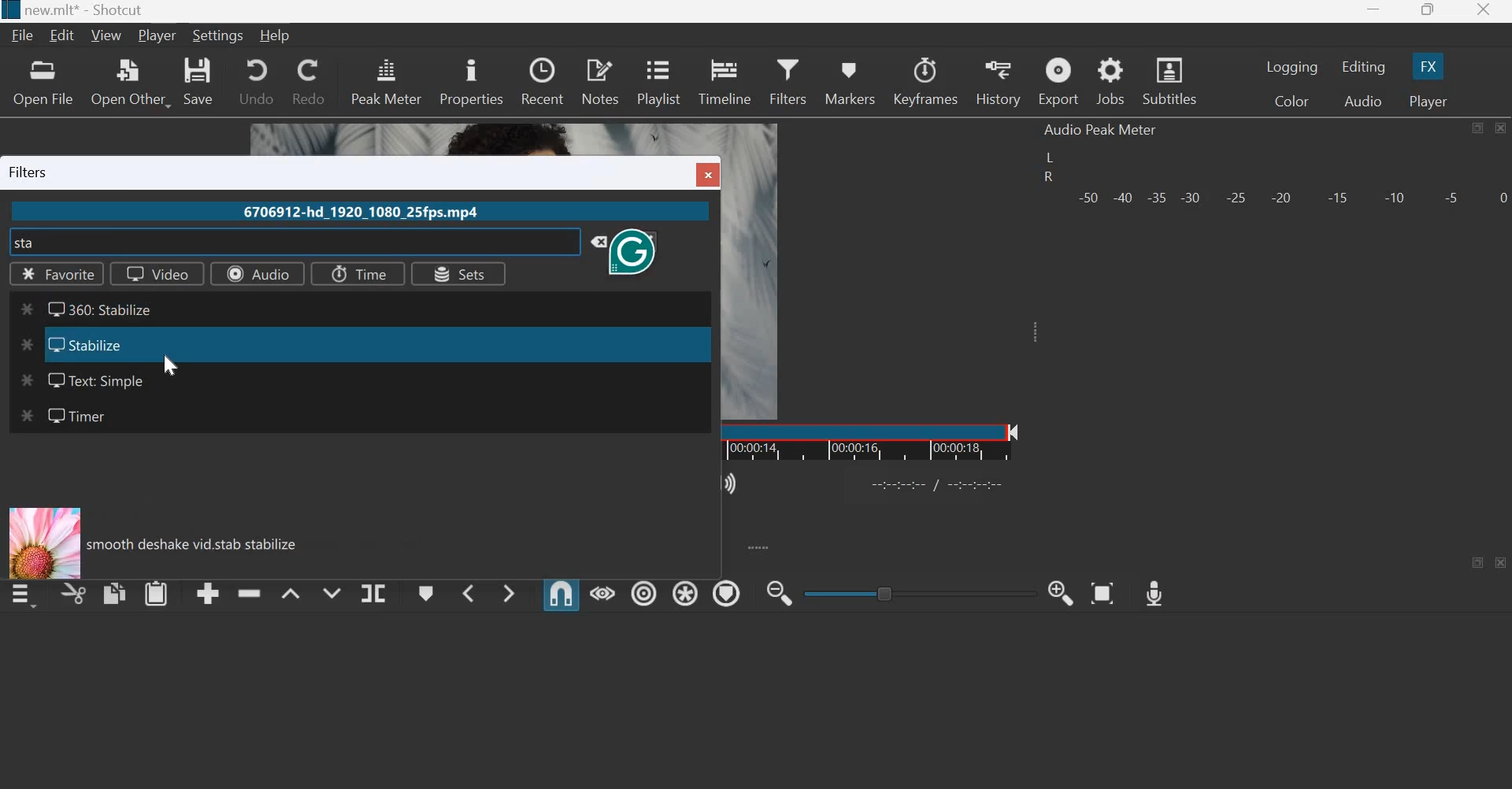  What do you see at coordinates (106, 37) in the screenshot?
I see `View` at bounding box center [106, 37].